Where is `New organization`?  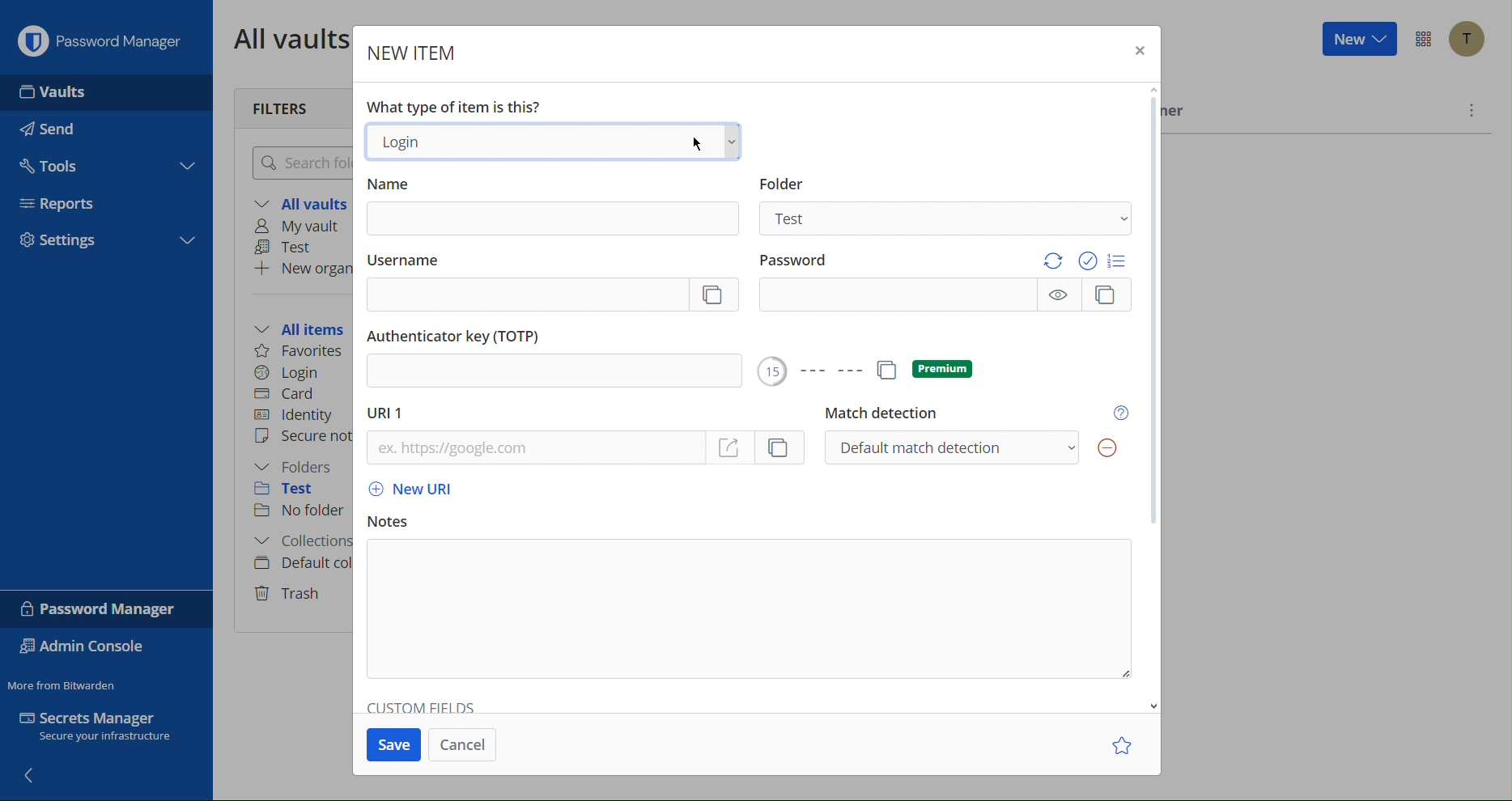
New organization is located at coordinates (301, 269).